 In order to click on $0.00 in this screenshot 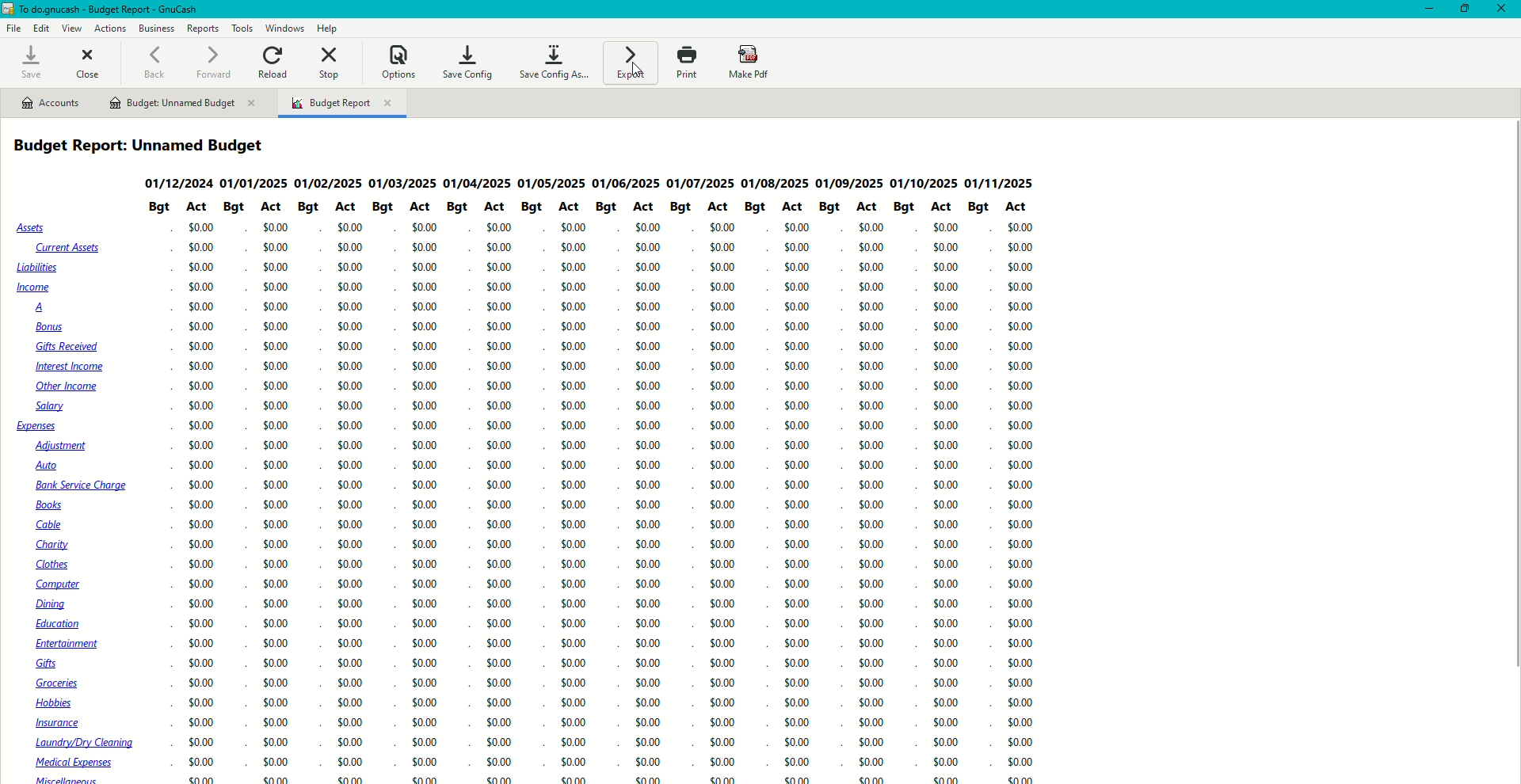, I will do `click(500, 329)`.